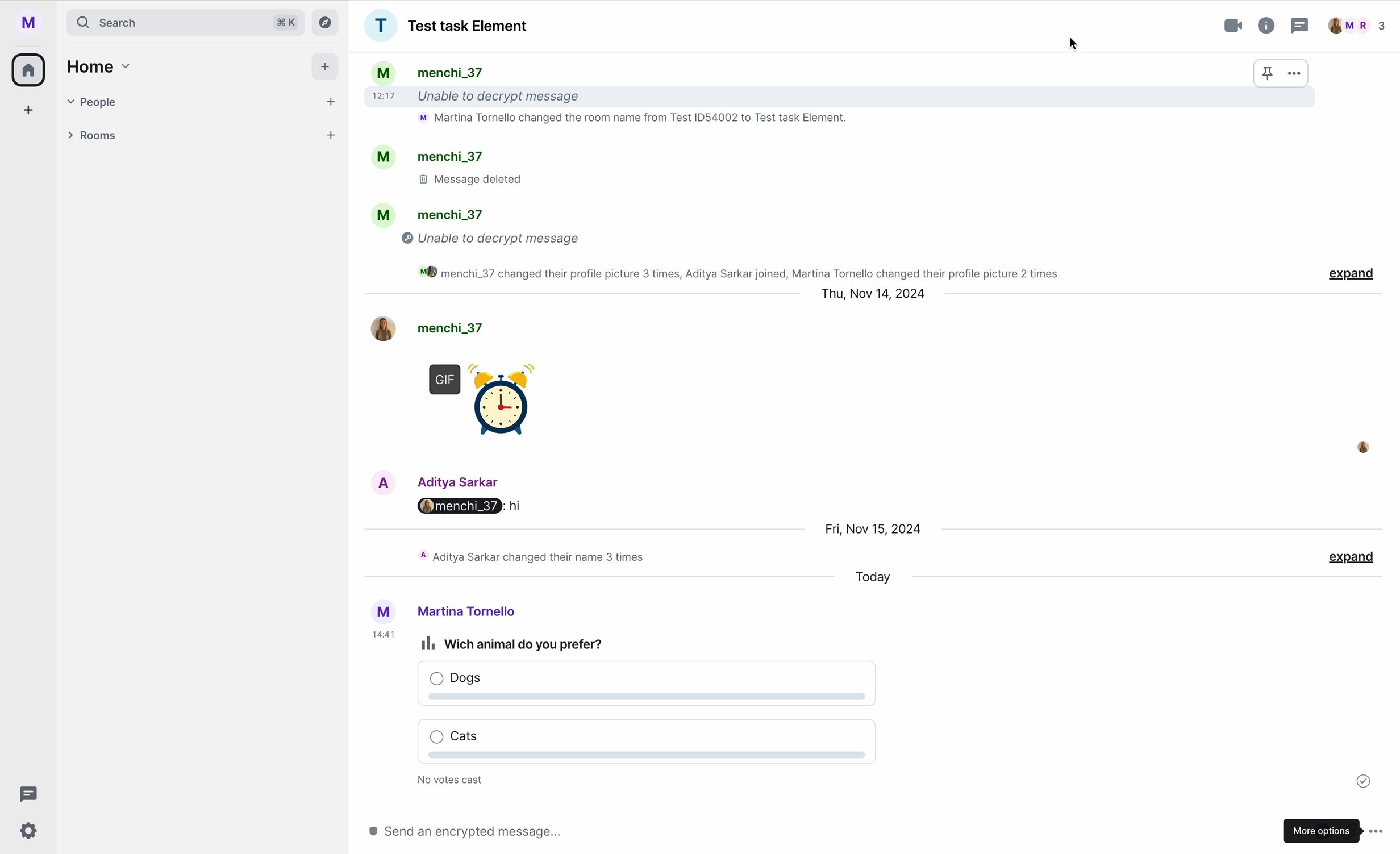 The width and height of the screenshot is (1400, 854). What do you see at coordinates (1357, 26) in the screenshot?
I see `people` at bounding box center [1357, 26].